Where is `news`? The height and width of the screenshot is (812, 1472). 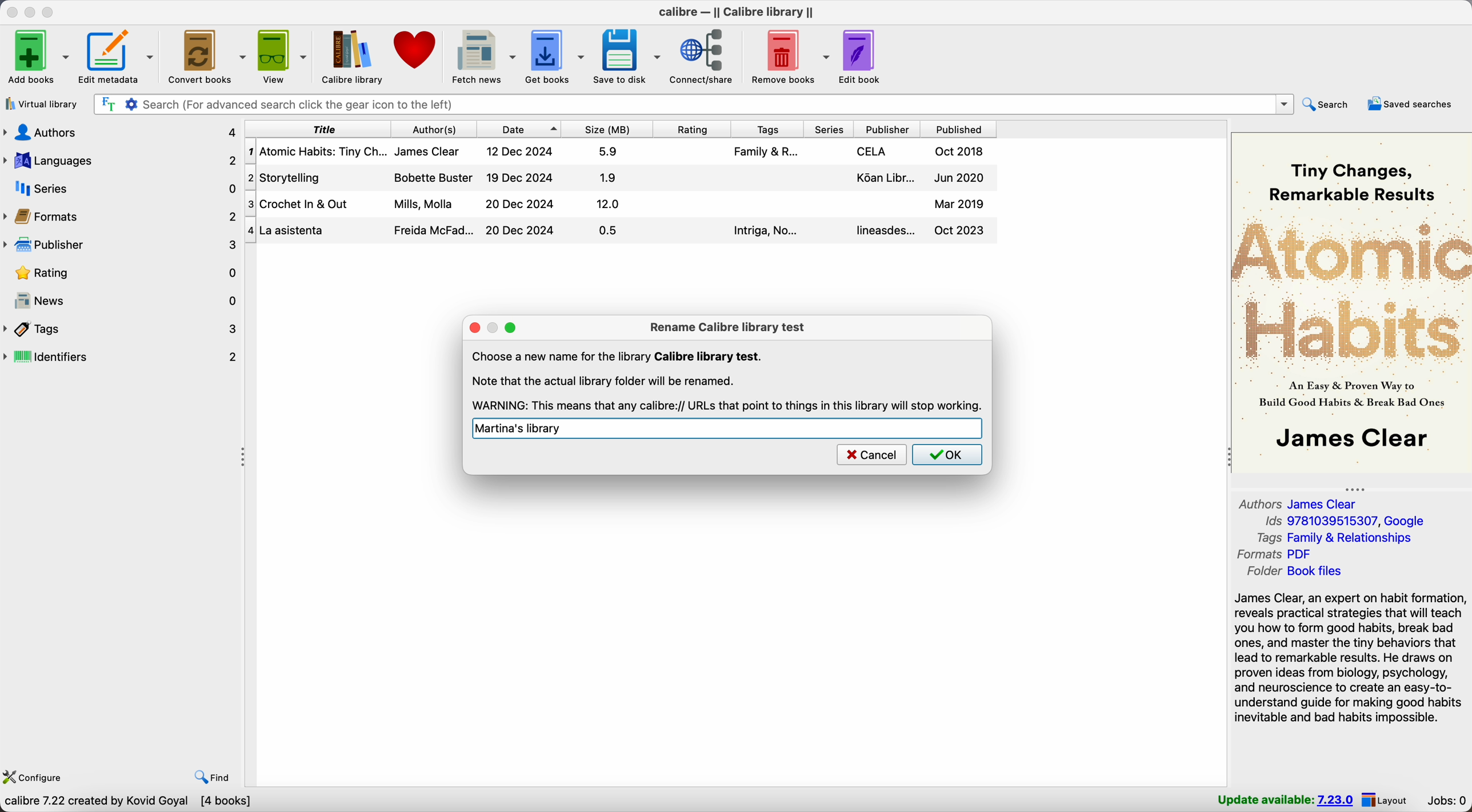 news is located at coordinates (122, 302).